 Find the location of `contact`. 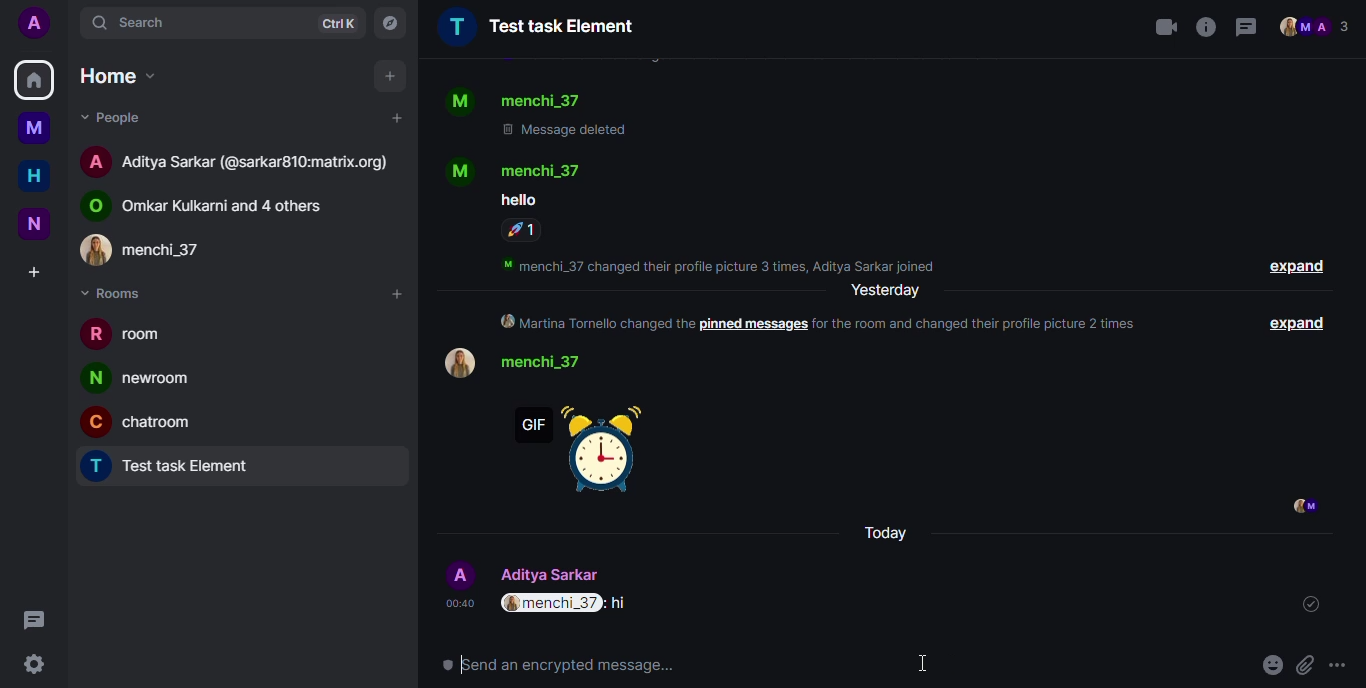

contact is located at coordinates (518, 96).